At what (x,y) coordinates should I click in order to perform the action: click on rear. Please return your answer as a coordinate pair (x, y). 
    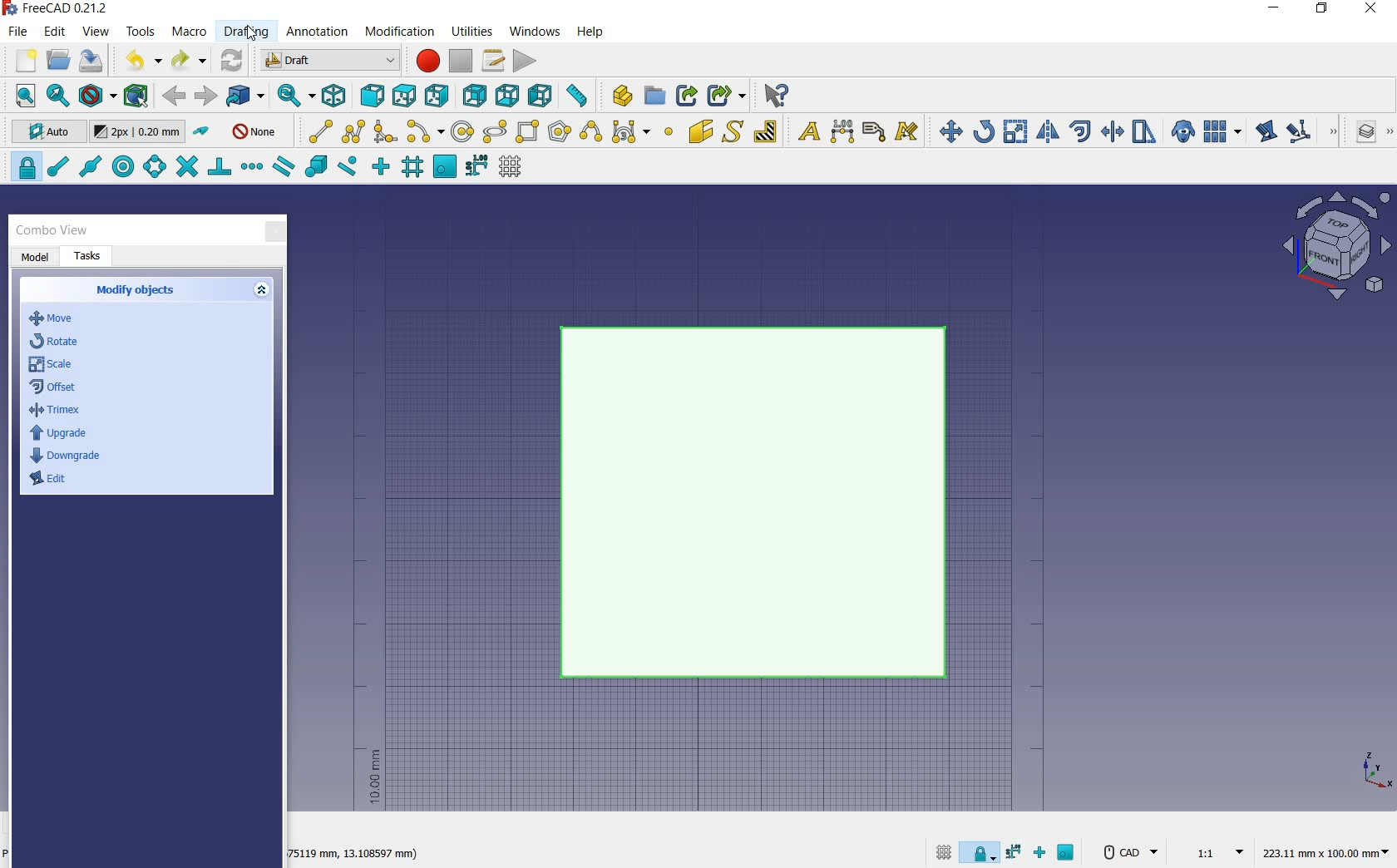
    Looking at the image, I should click on (476, 96).